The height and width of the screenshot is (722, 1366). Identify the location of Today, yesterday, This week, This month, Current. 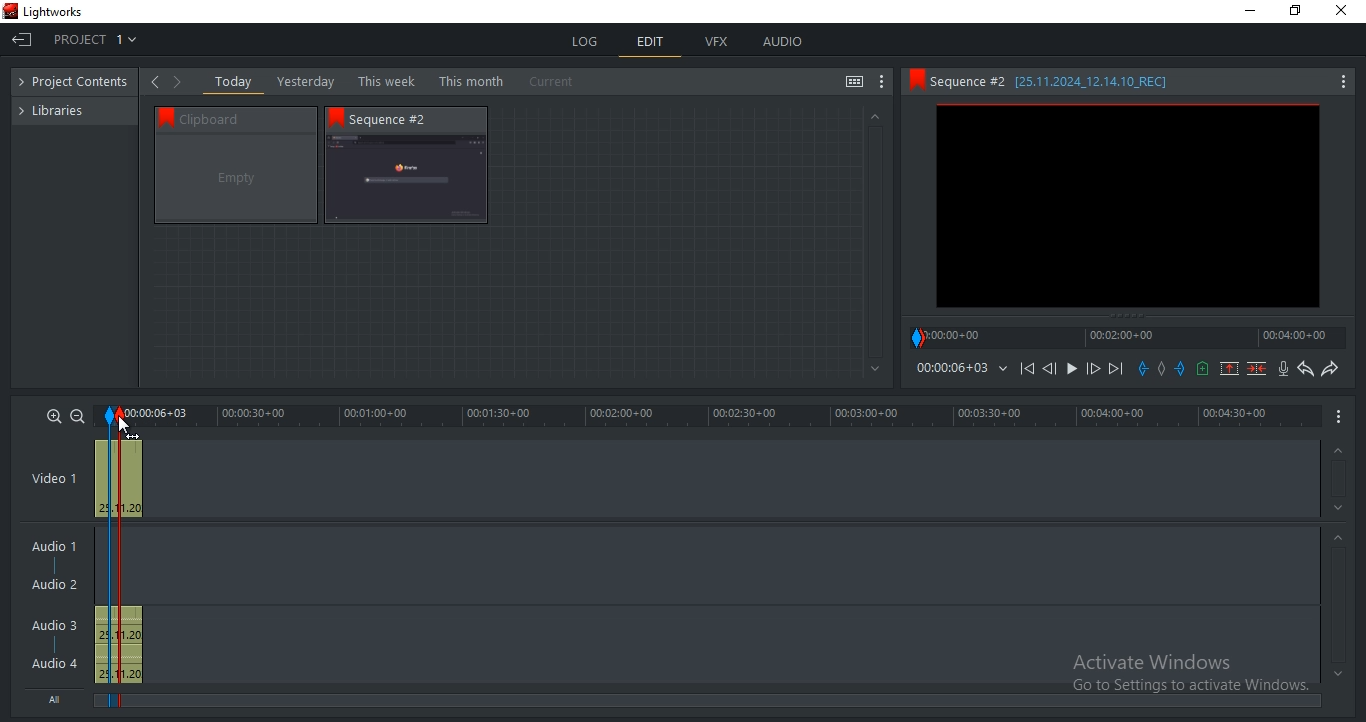
(399, 81).